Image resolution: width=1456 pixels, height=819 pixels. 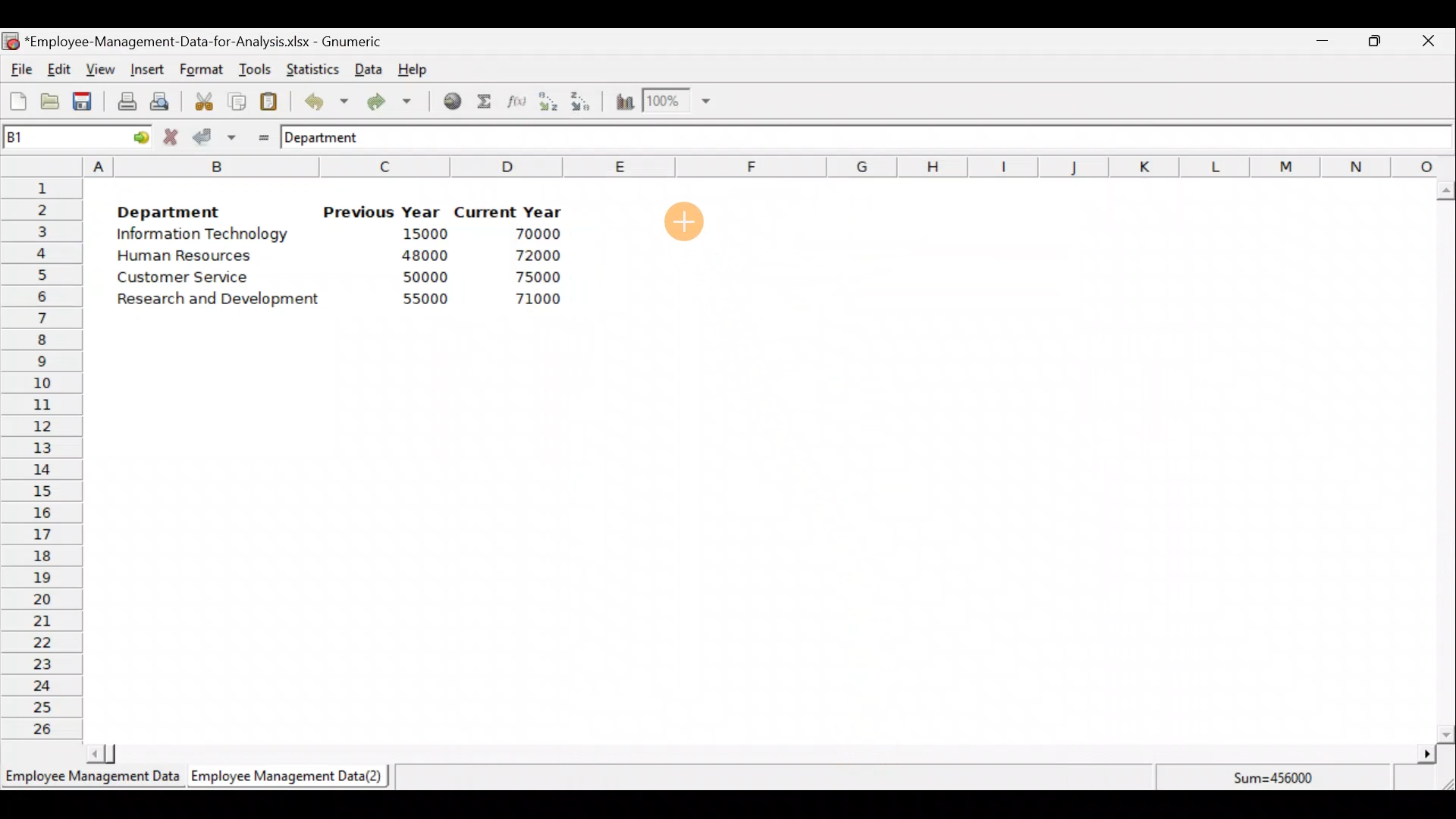 What do you see at coordinates (1427, 43) in the screenshot?
I see `Close` at bounding box center [1427, 43].